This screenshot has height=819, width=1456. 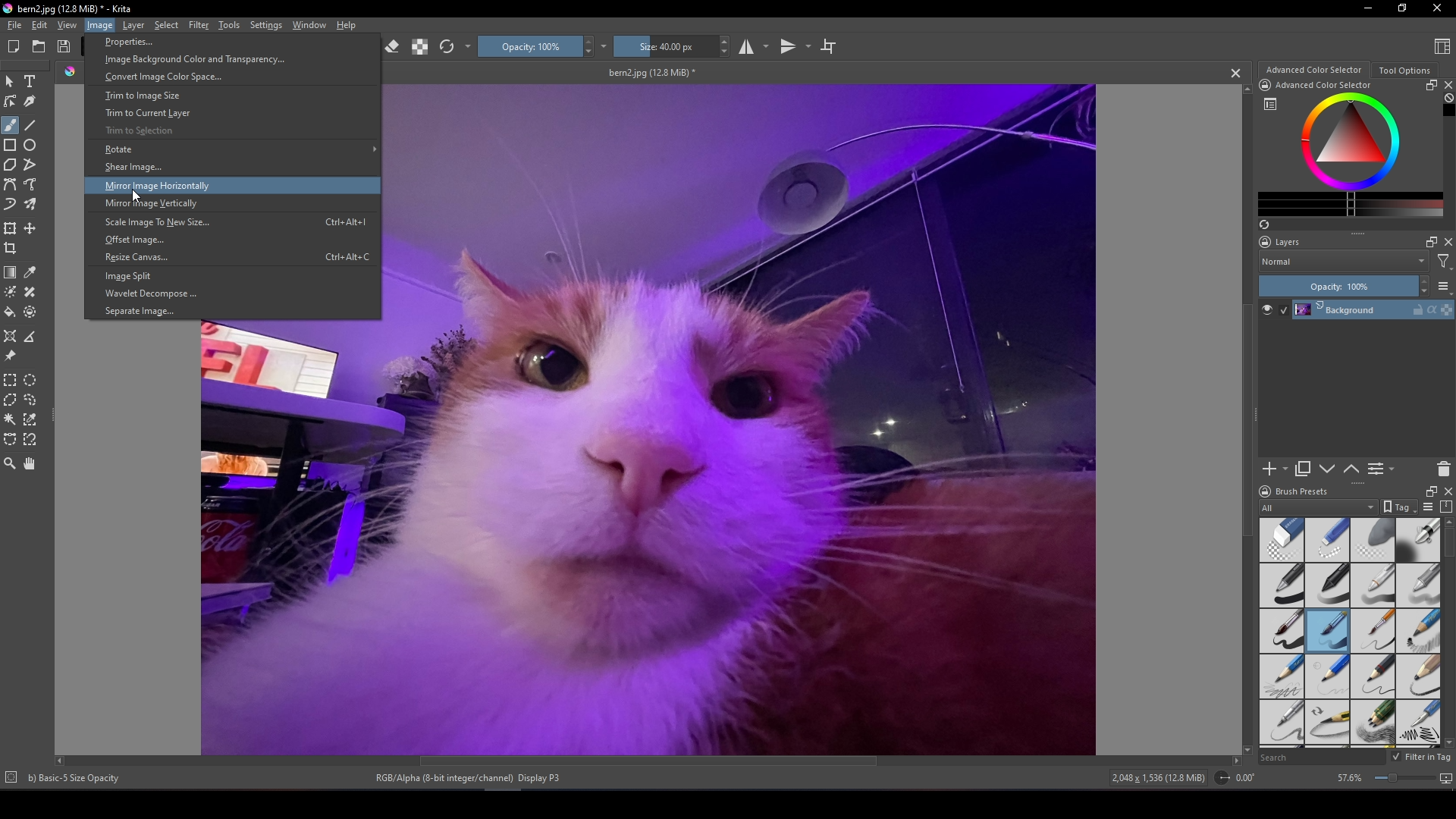 I want to click on Resize canvas, so click(x=234, y=256).